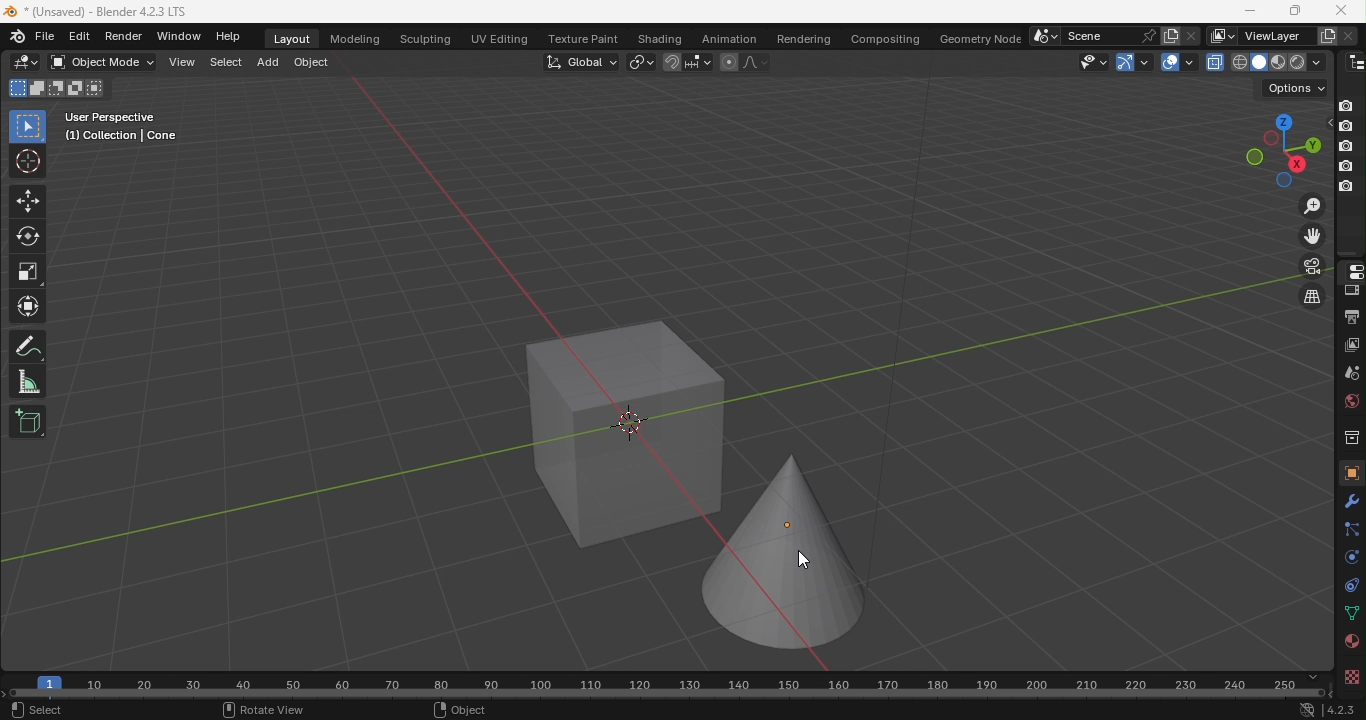 The height and width of the screenshot is (720, 1366). What do you see at coordinates (19, 35) in the screenshot?
I see `Icon` at bounding box center [19, 35].